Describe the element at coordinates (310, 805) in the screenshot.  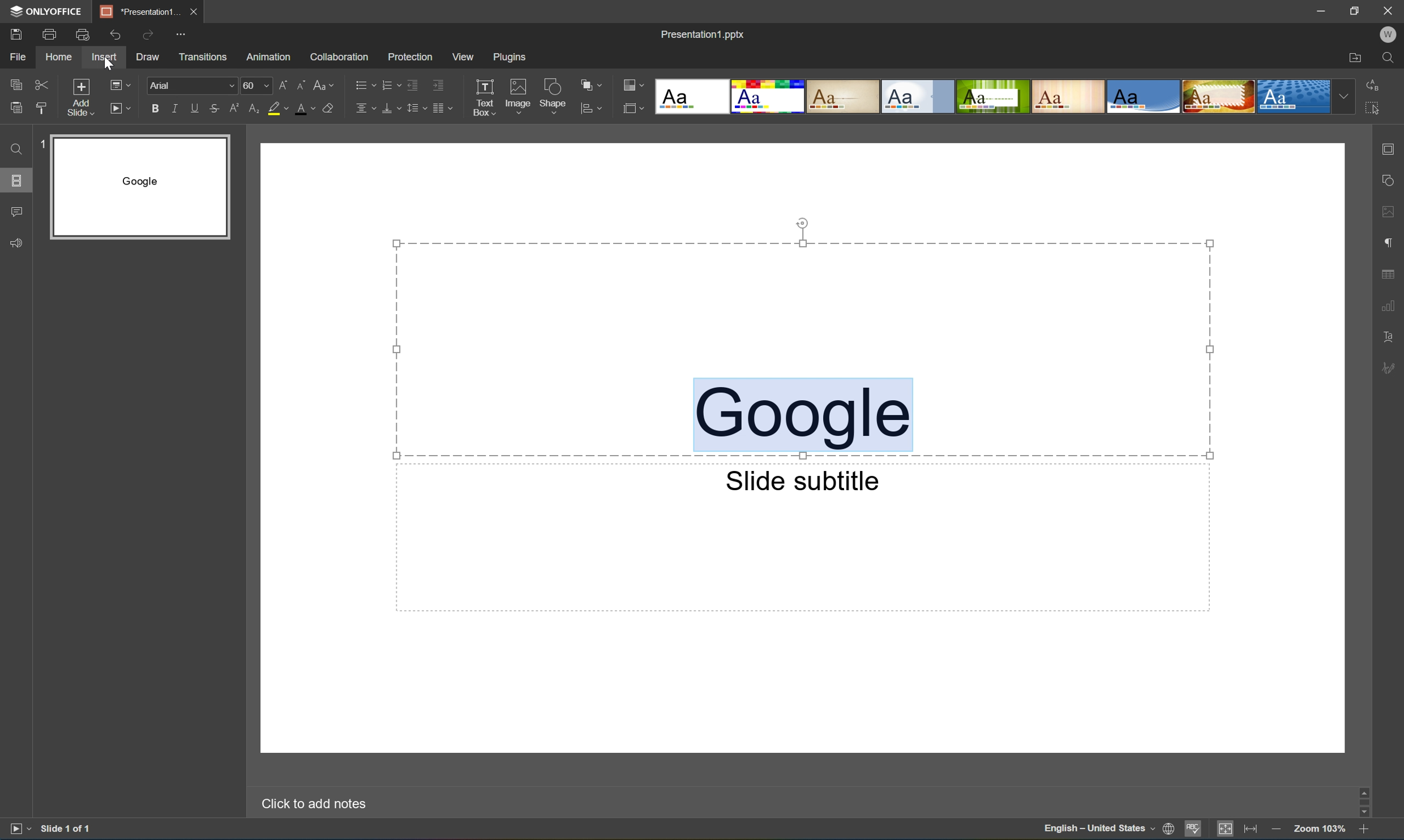
I see `Click to add notes` at that location.